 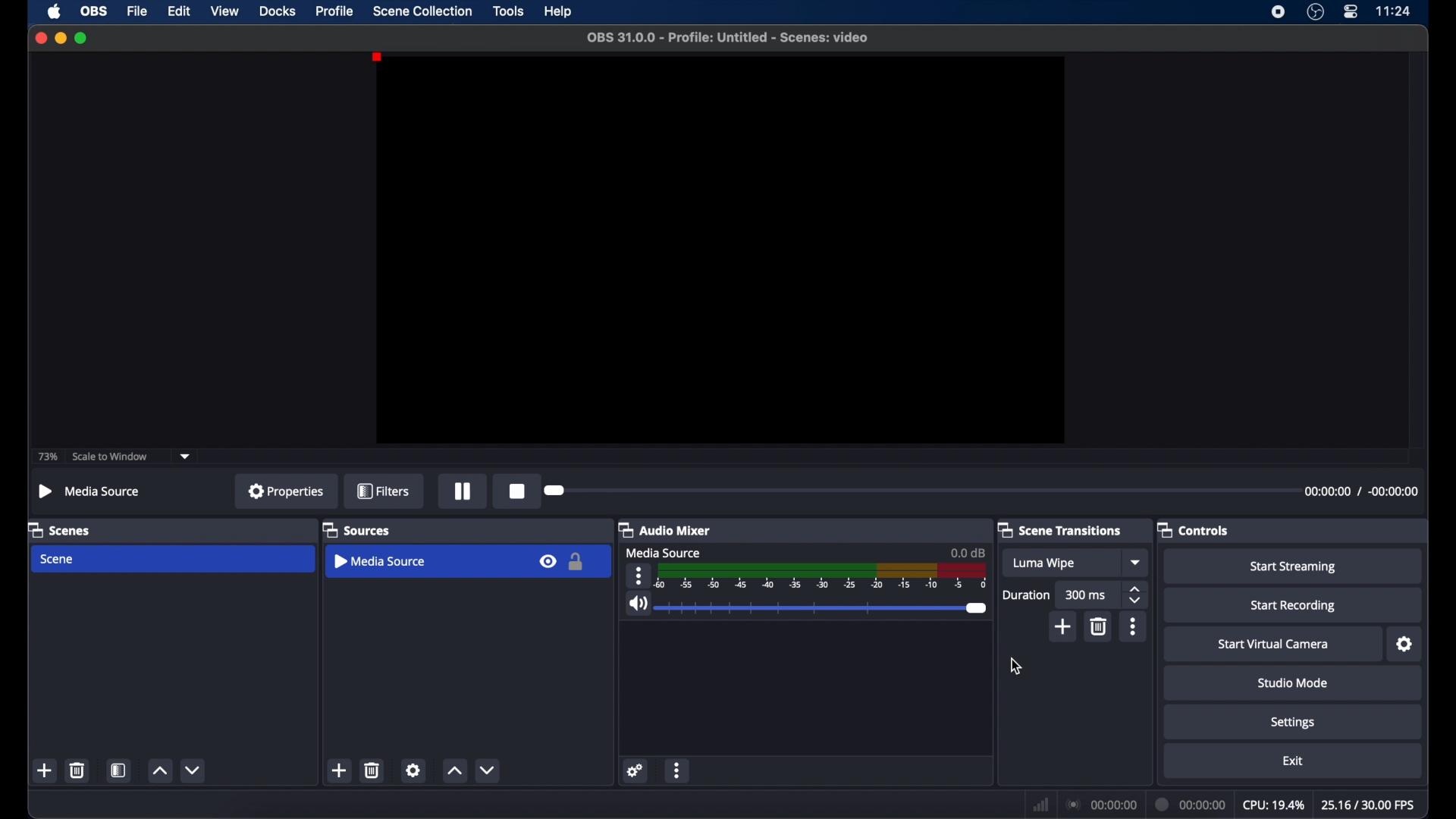 I want to click on cpu, so click(x=1272, y=805).